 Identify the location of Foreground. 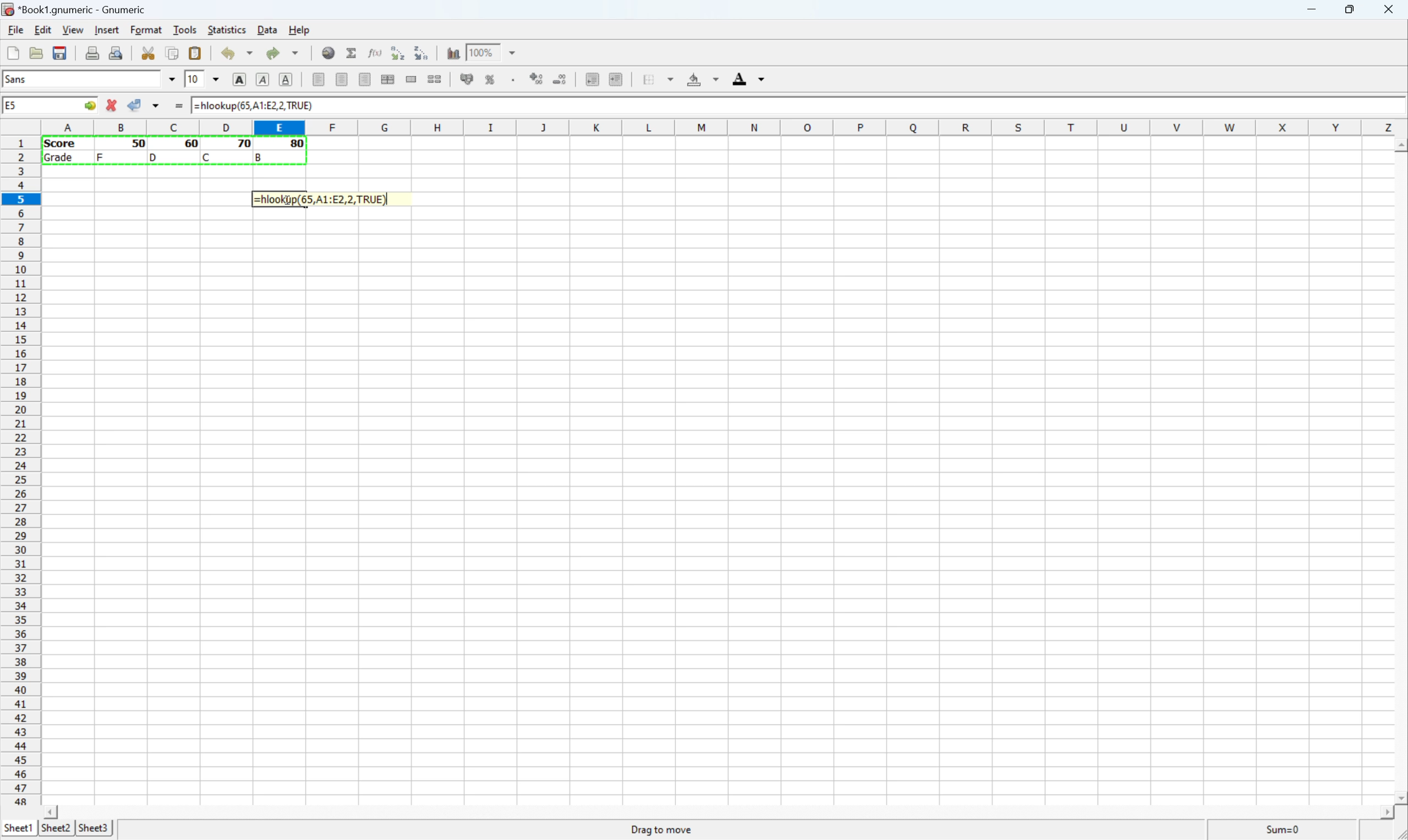
(746, 78).